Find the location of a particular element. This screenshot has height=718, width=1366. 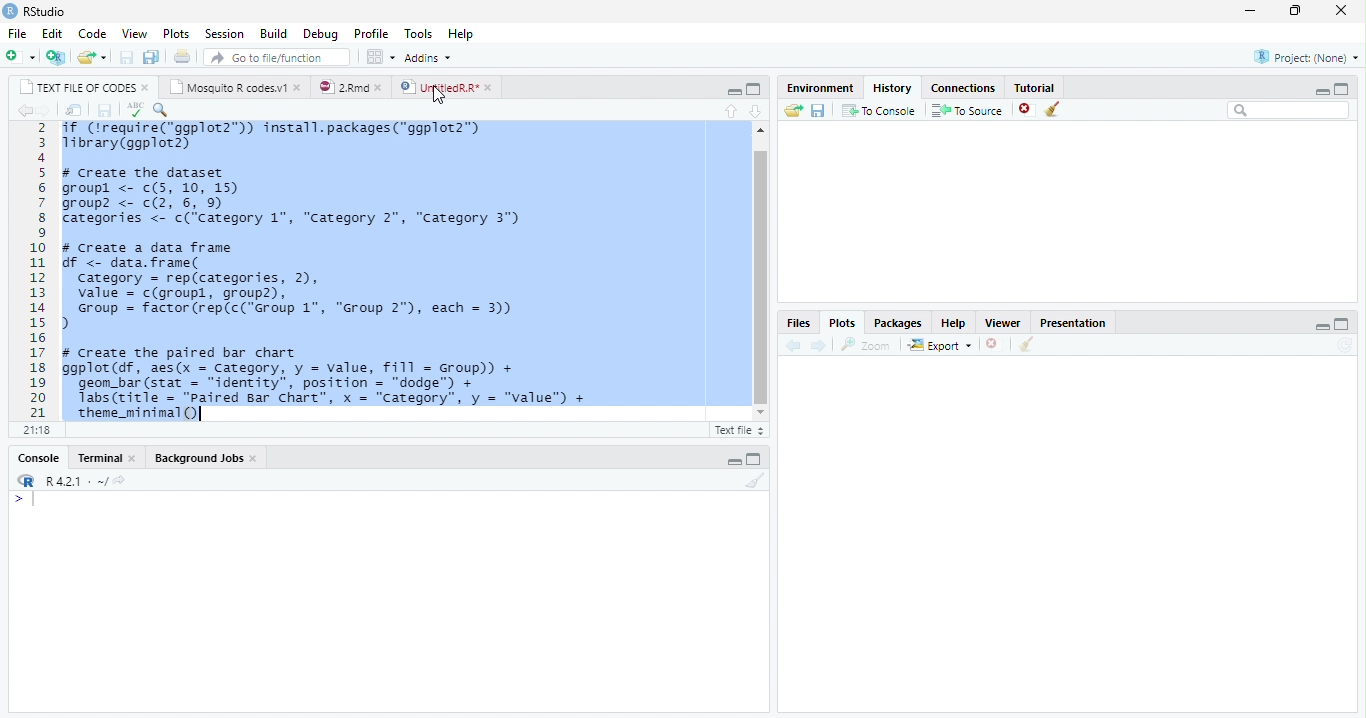

RStudio is located at coordinates (47, 11).